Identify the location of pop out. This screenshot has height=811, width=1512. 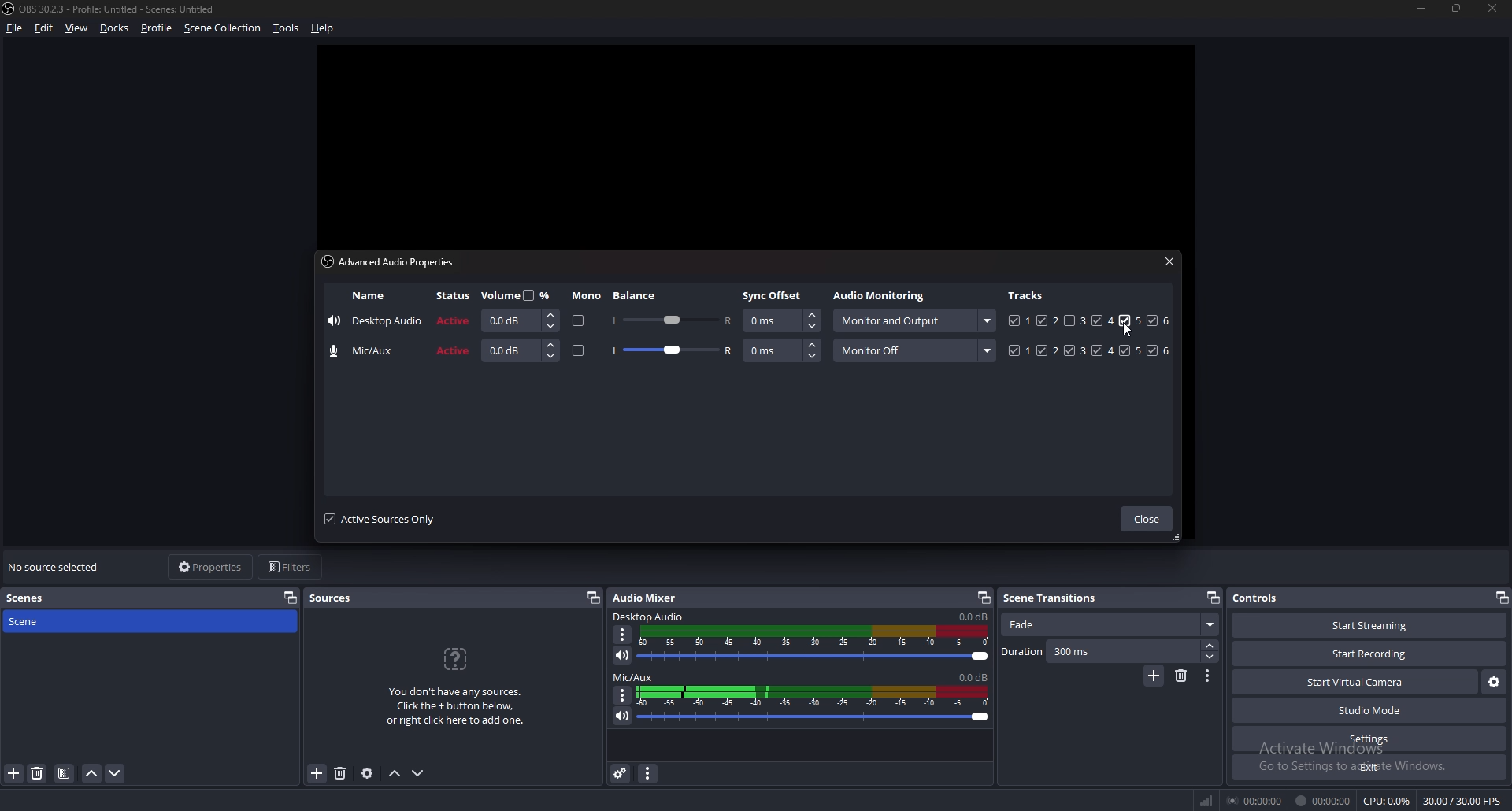
(1501, 597).